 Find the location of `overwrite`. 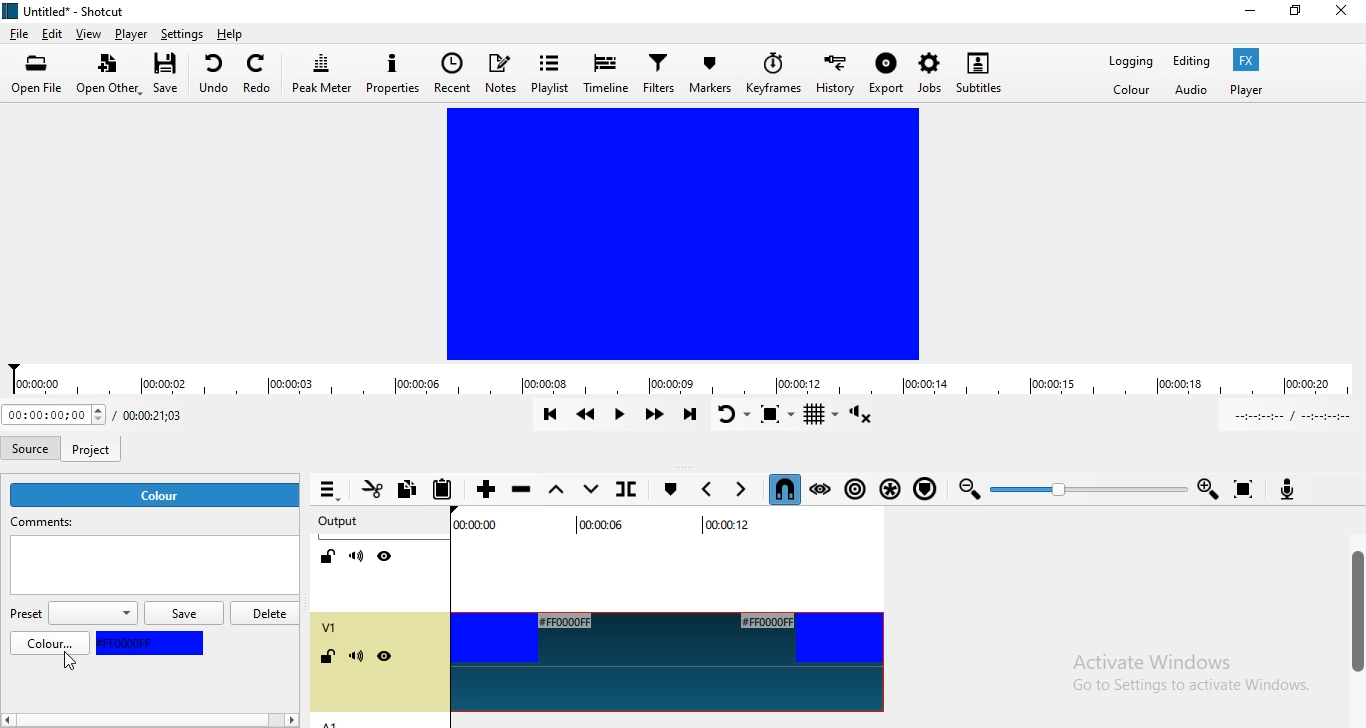

overwrite is located at coordinates (589, 487).